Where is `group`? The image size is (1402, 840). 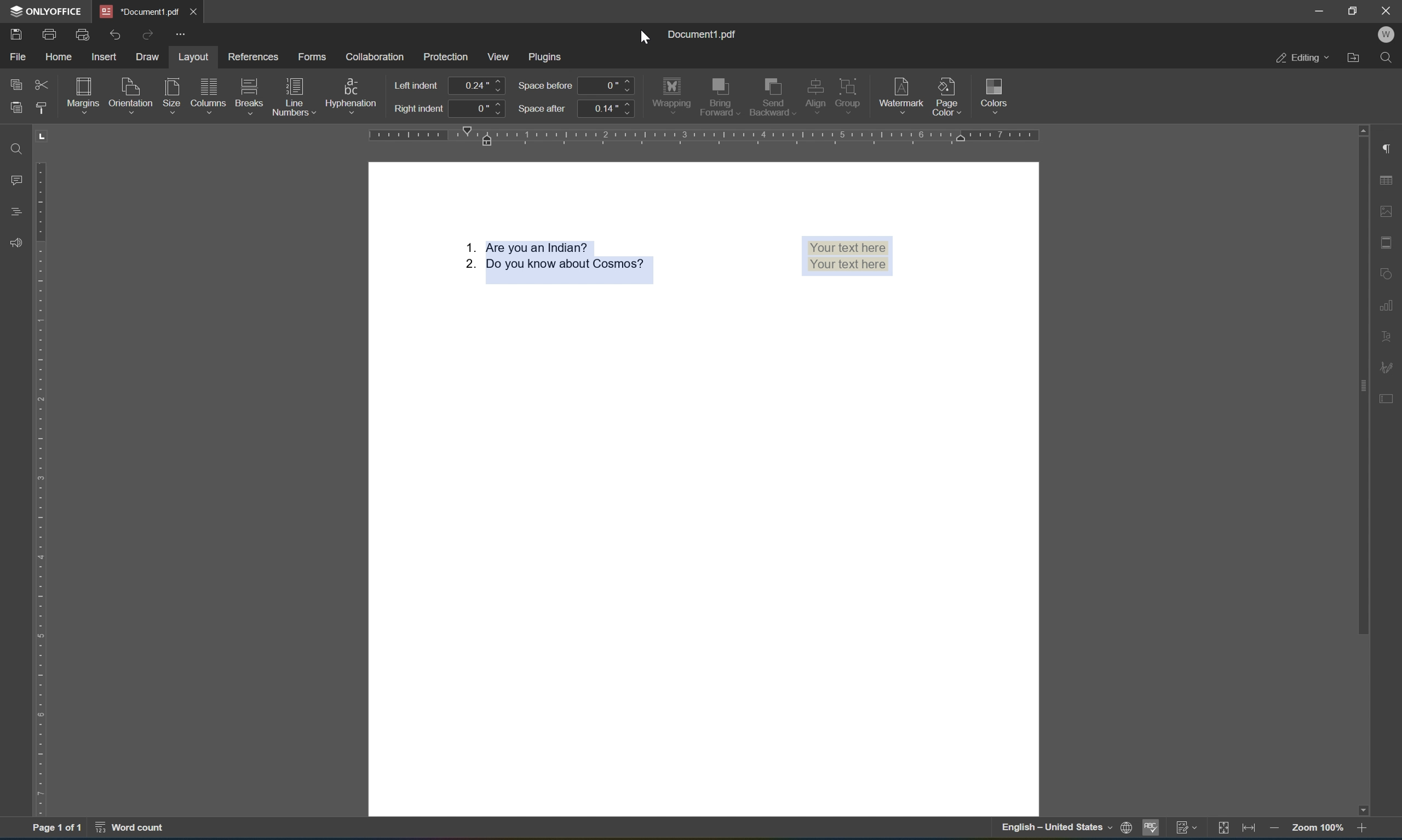
group is located at coordinates (853, 92).